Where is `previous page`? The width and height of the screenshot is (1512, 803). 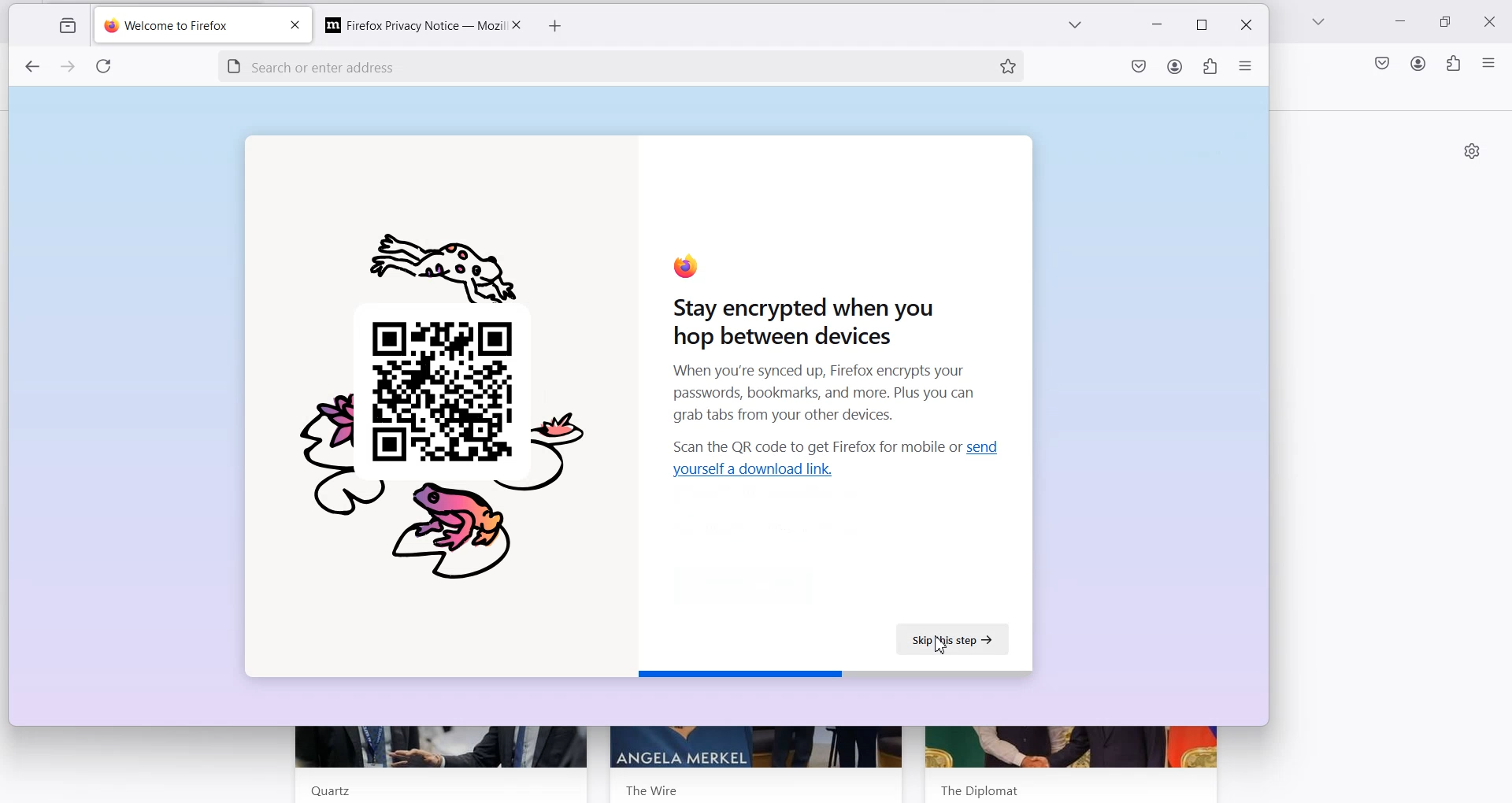 previous page is located at coordinates (31, 68).